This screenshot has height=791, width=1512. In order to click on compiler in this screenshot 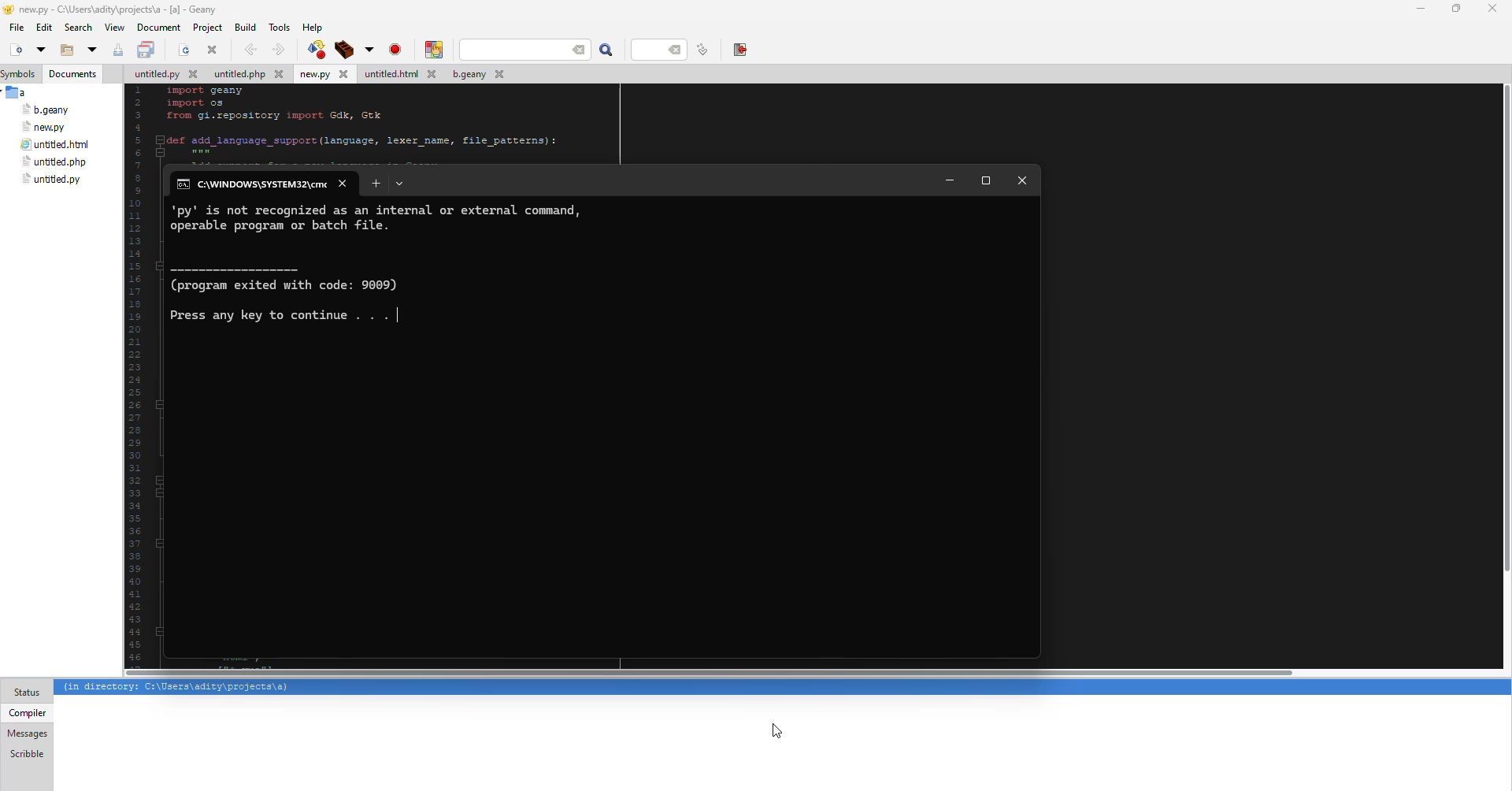, I will do `click(27, 713)`.